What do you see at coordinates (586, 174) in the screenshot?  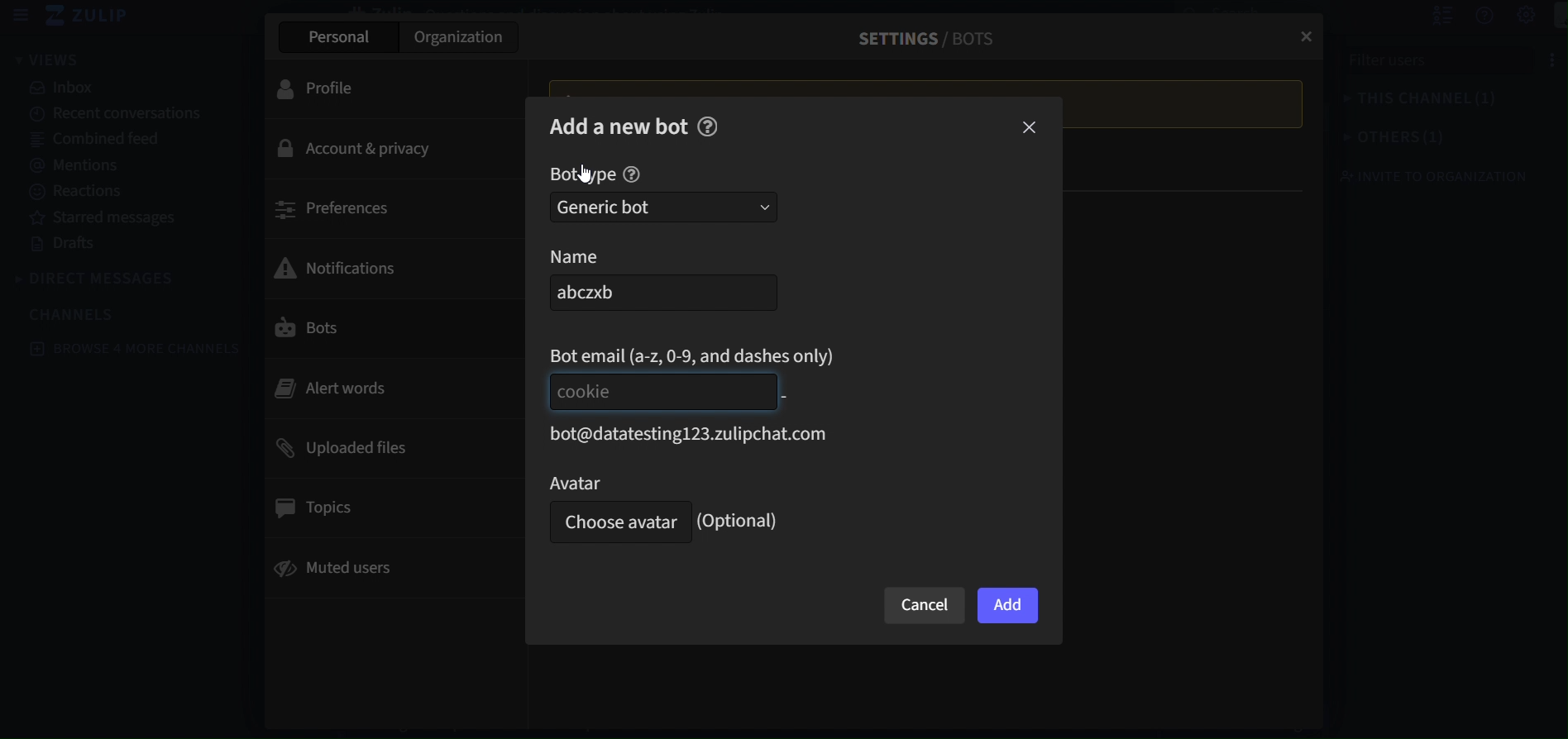 I see `Cursor` at bounding box center [586, 174].